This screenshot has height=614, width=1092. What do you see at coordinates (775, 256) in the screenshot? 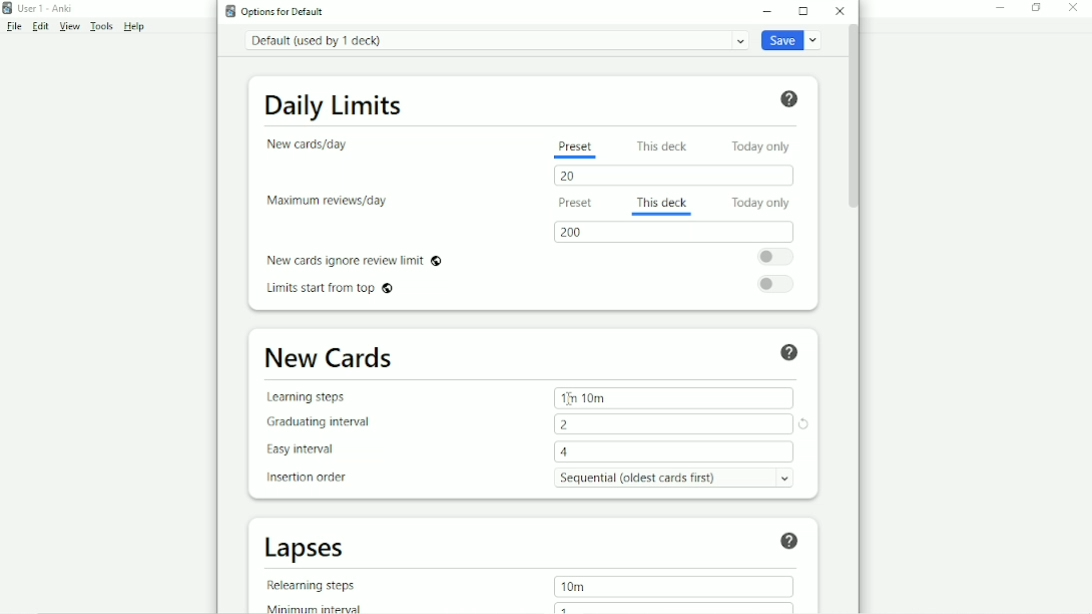
I see `Toggle on/off` at bounding box center [775, 256].